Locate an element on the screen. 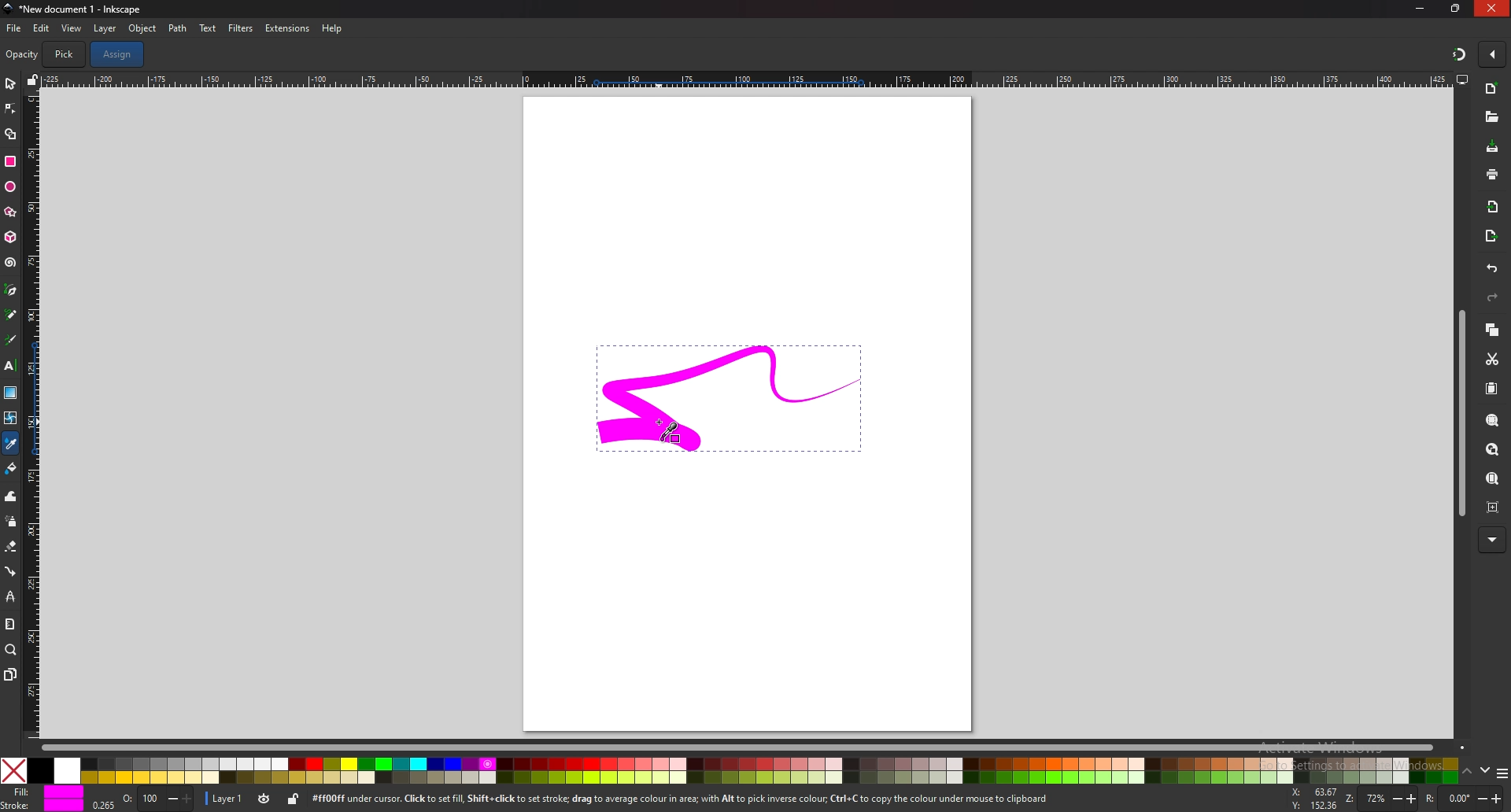  rectangle is located at coordinates (9, 161).